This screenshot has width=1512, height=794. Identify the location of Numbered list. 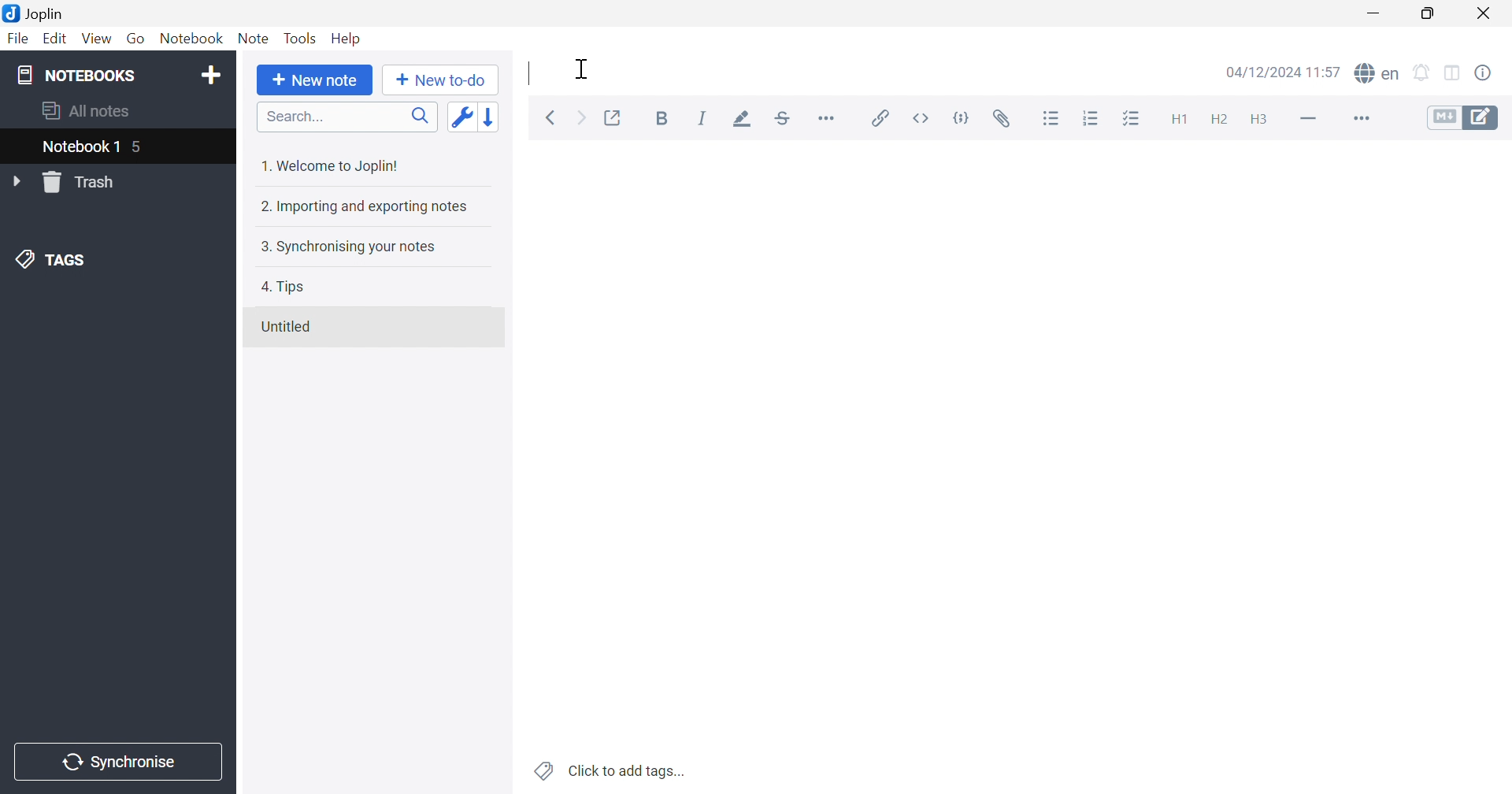
(1093, 120).